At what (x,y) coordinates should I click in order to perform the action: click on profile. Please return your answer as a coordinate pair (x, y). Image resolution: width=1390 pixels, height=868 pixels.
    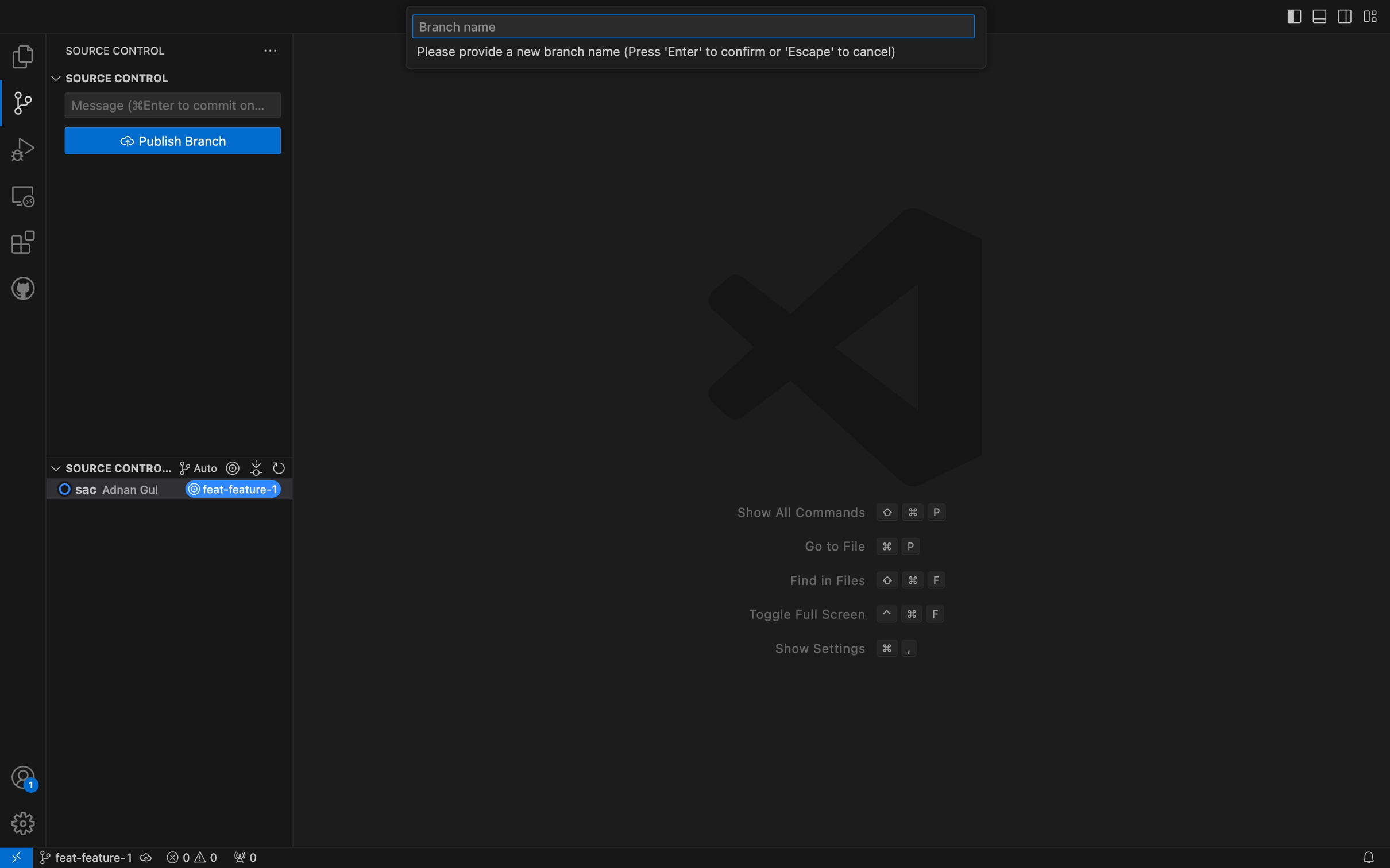
    Looking at the image, I should click on (21, 822).